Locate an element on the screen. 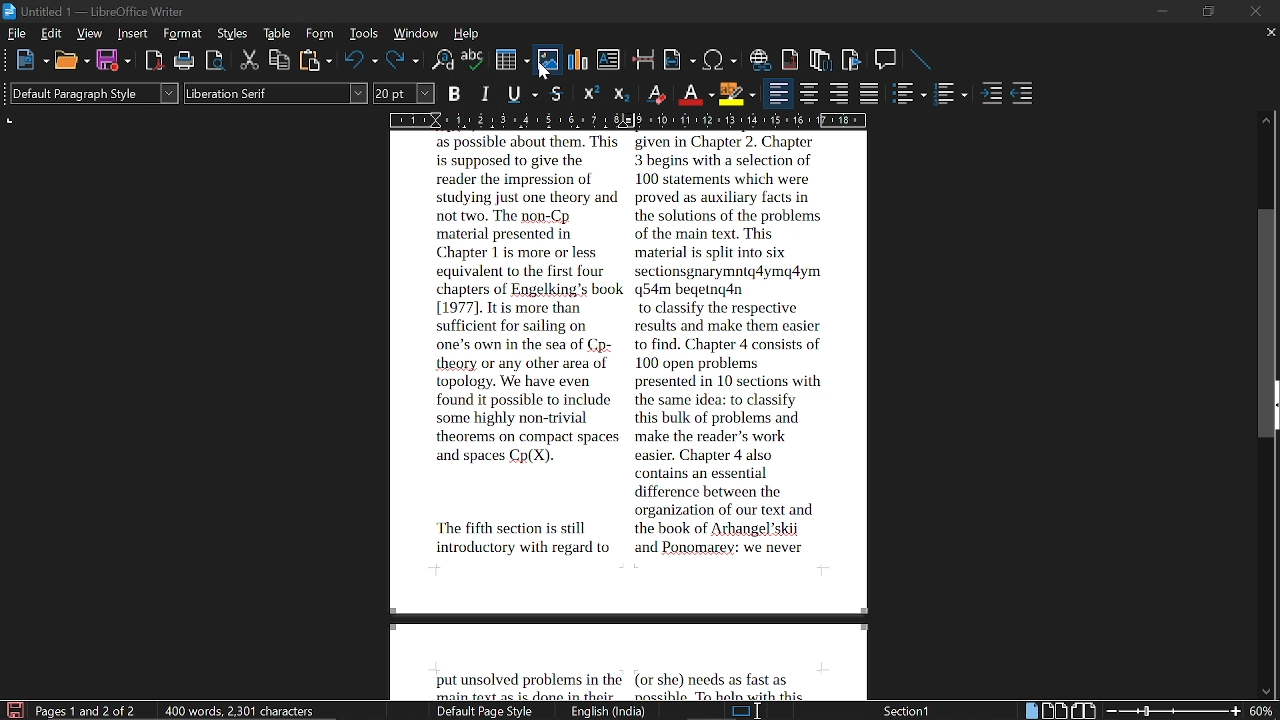 The width and height of the screenshot is (1280, 720). bold is located at coordinates (456, 93).